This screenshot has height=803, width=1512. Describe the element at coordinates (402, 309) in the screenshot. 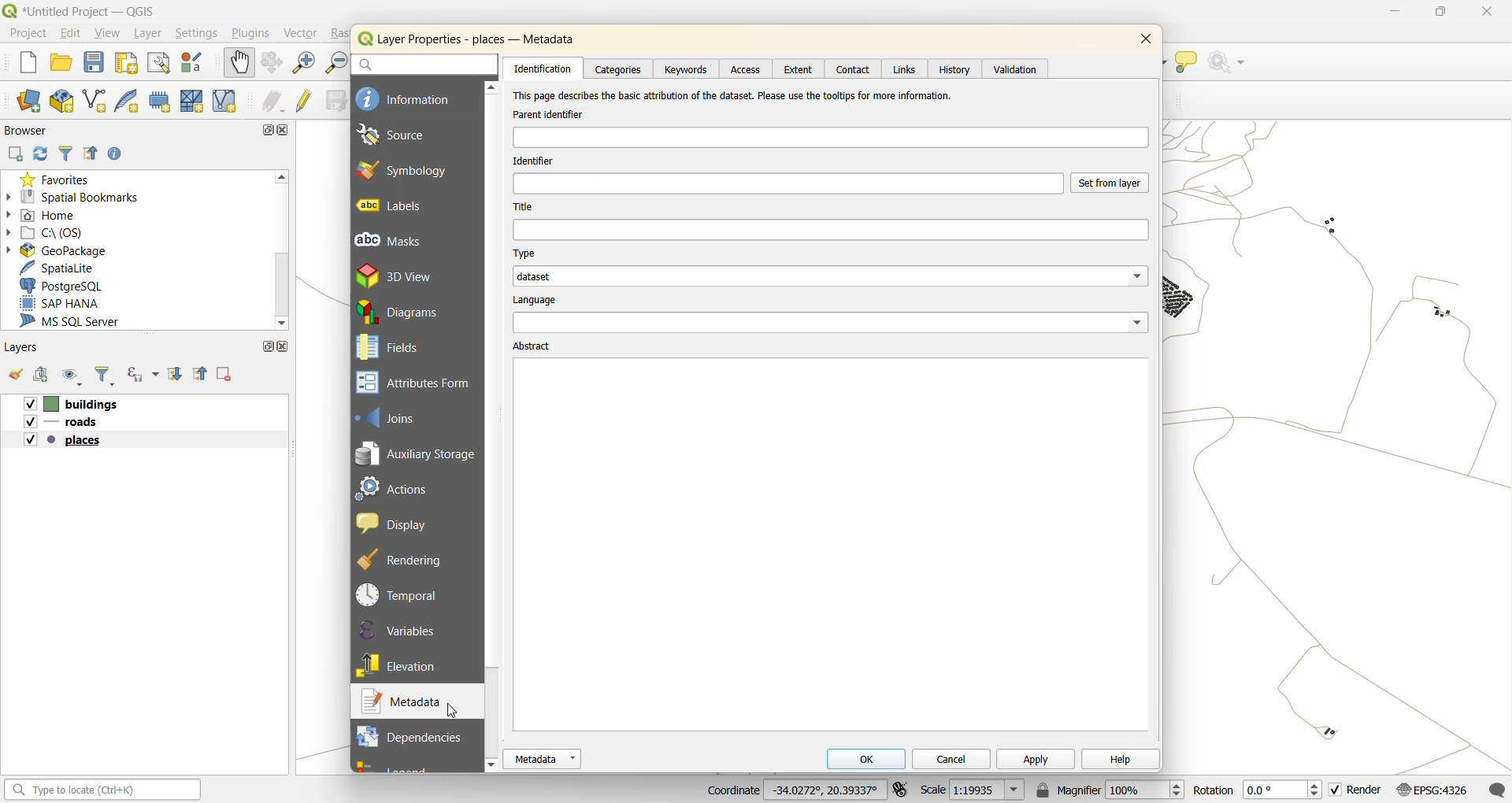

I see `diagrams` at that location.